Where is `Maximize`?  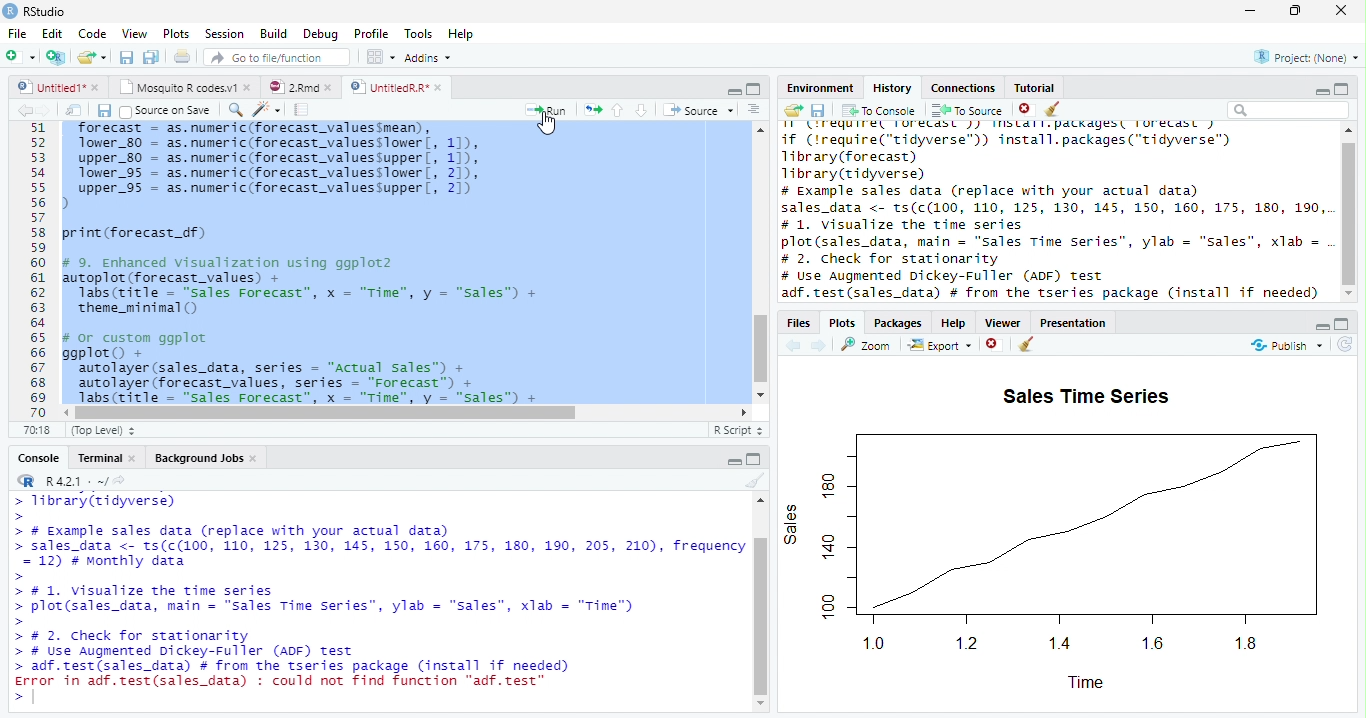 Maximize is located at coordinates (1346, 88).